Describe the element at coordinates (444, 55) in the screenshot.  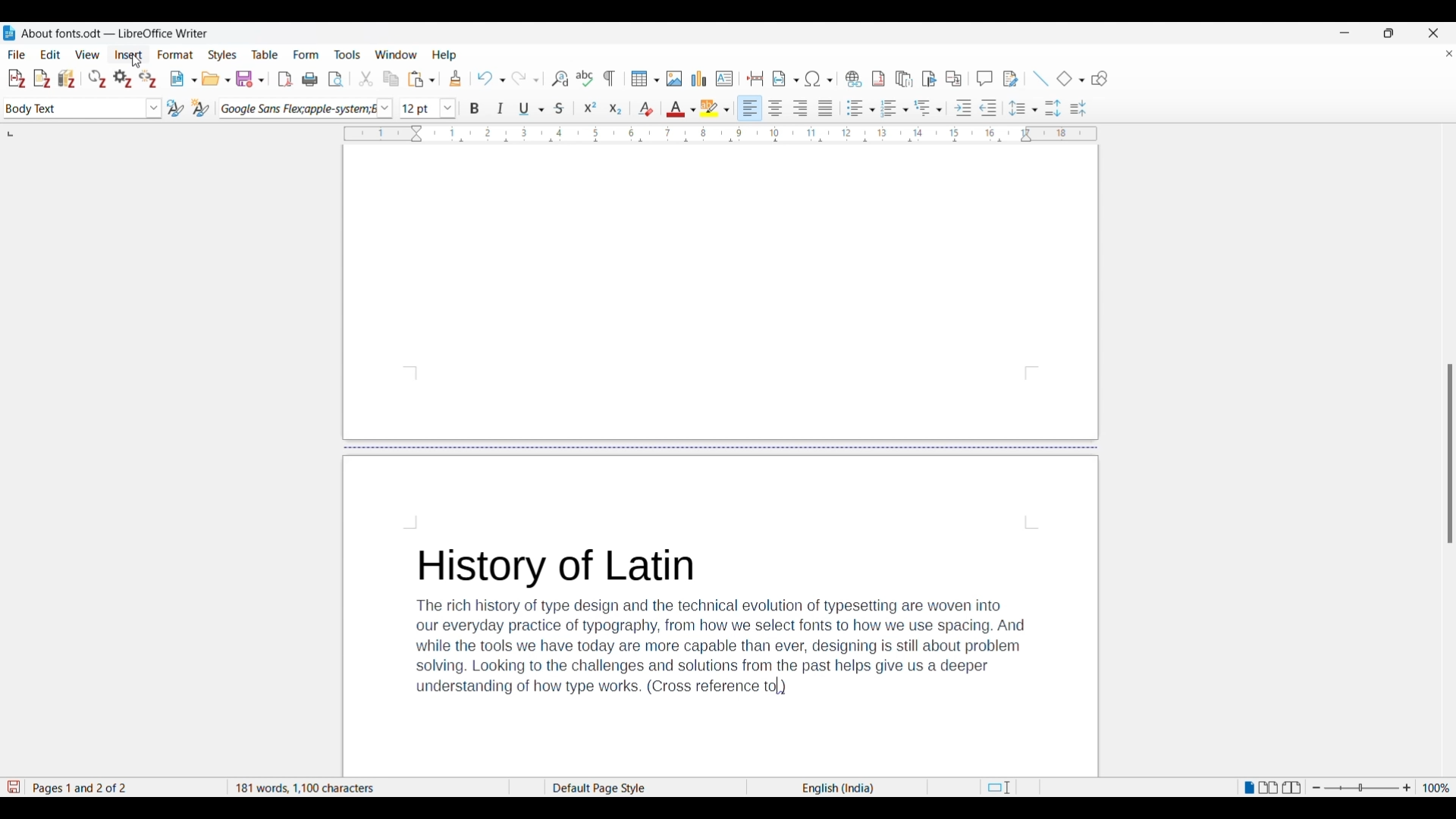
I see `Help menu` at that location.